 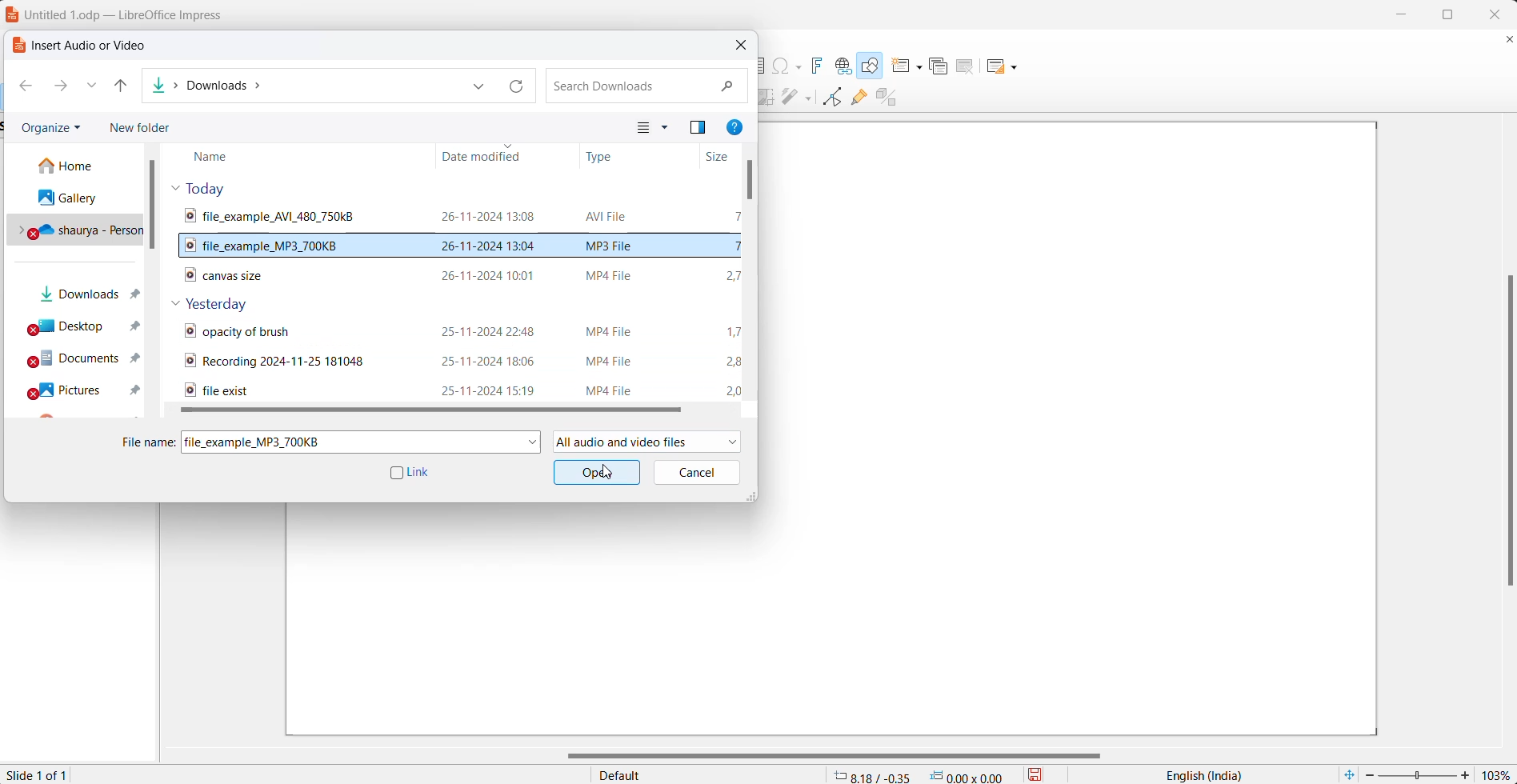 I want to click on personal drive, so click(x=78, y=229).